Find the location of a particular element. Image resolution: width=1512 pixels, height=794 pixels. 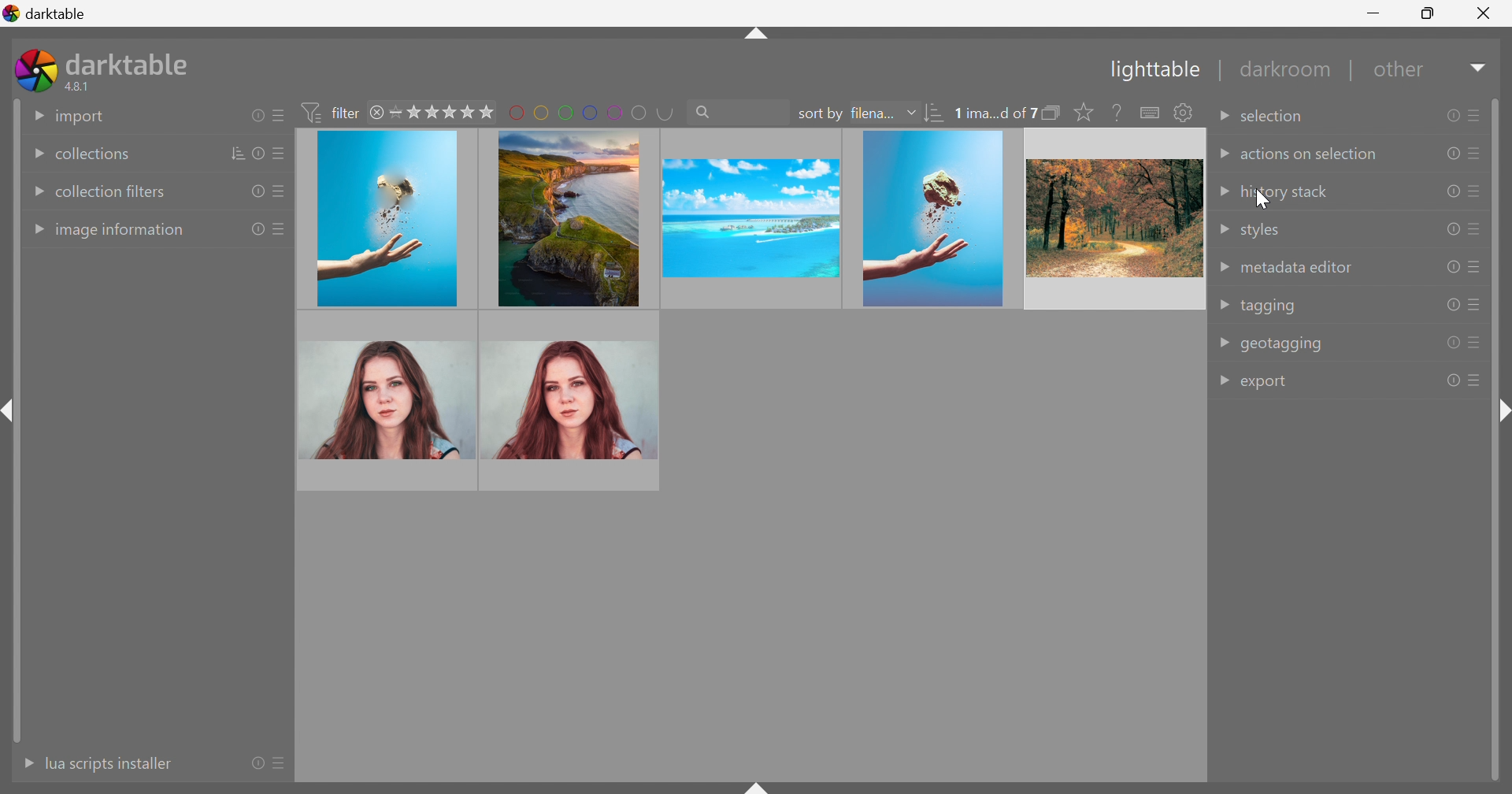

reset is located at coordinates (1454, 305).